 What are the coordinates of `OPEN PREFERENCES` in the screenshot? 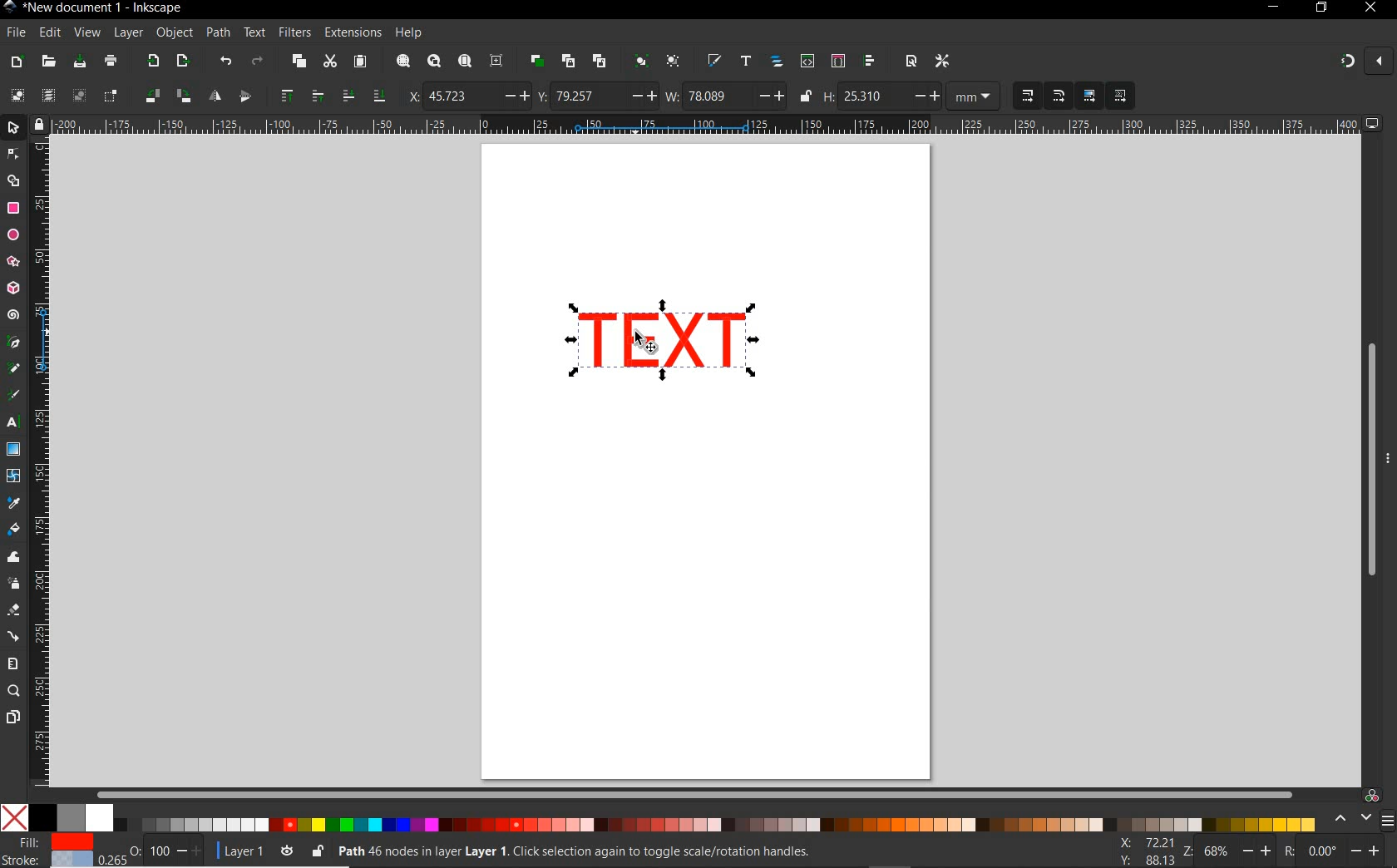 It's located at (944, 61).